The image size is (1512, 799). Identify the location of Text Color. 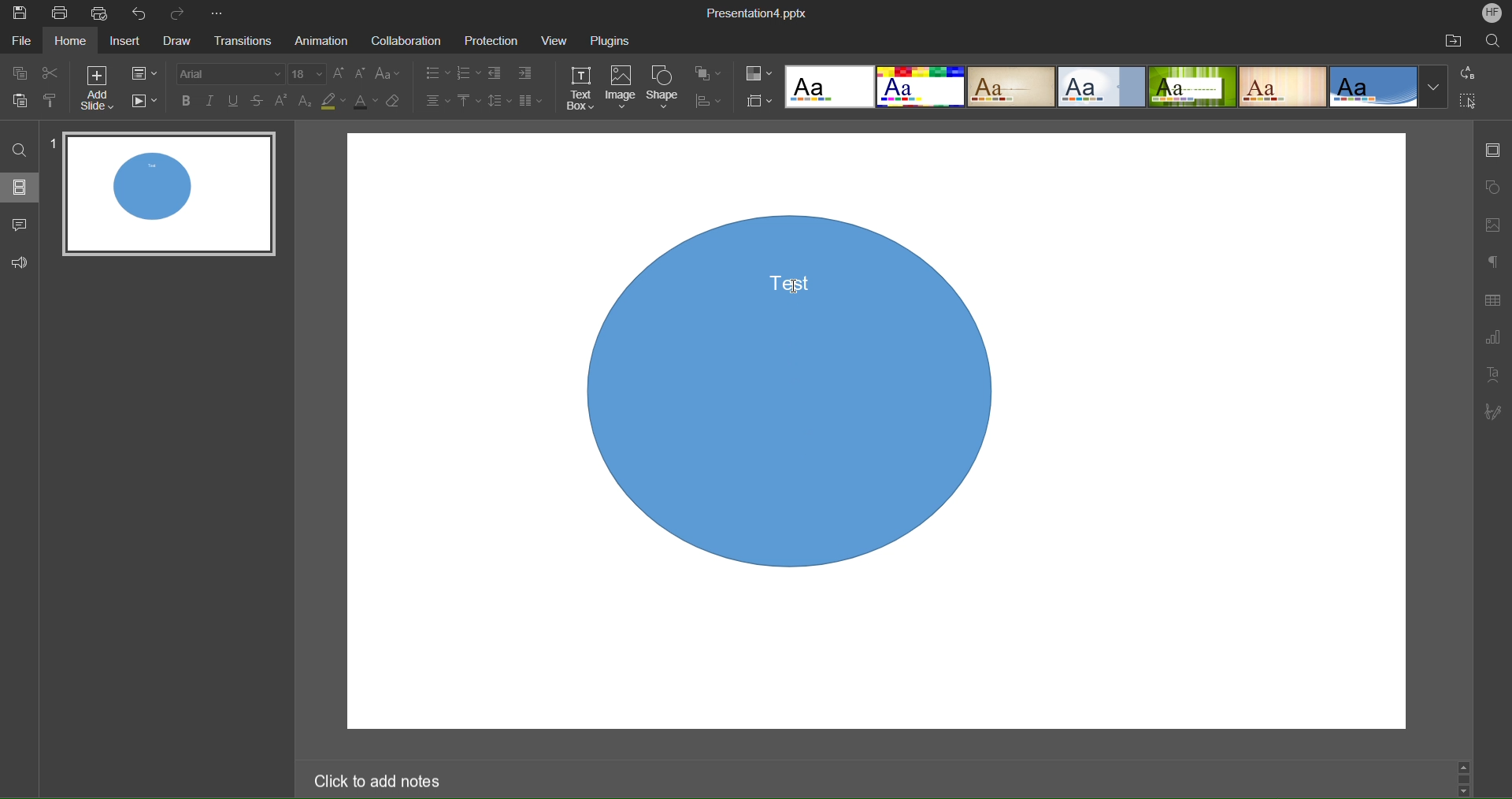
(369, 103).